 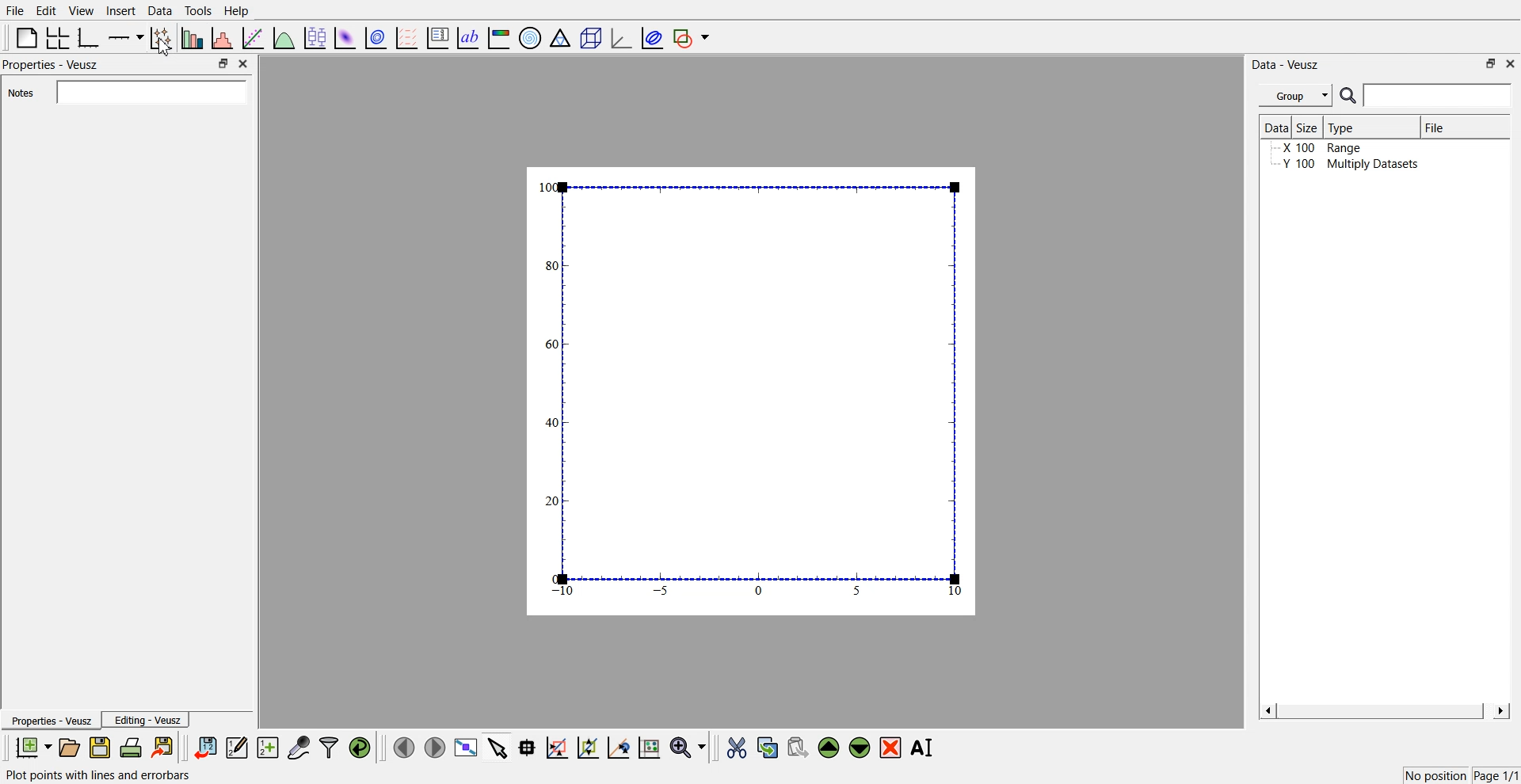 I want to click on close, so click(x=1511, y=63).